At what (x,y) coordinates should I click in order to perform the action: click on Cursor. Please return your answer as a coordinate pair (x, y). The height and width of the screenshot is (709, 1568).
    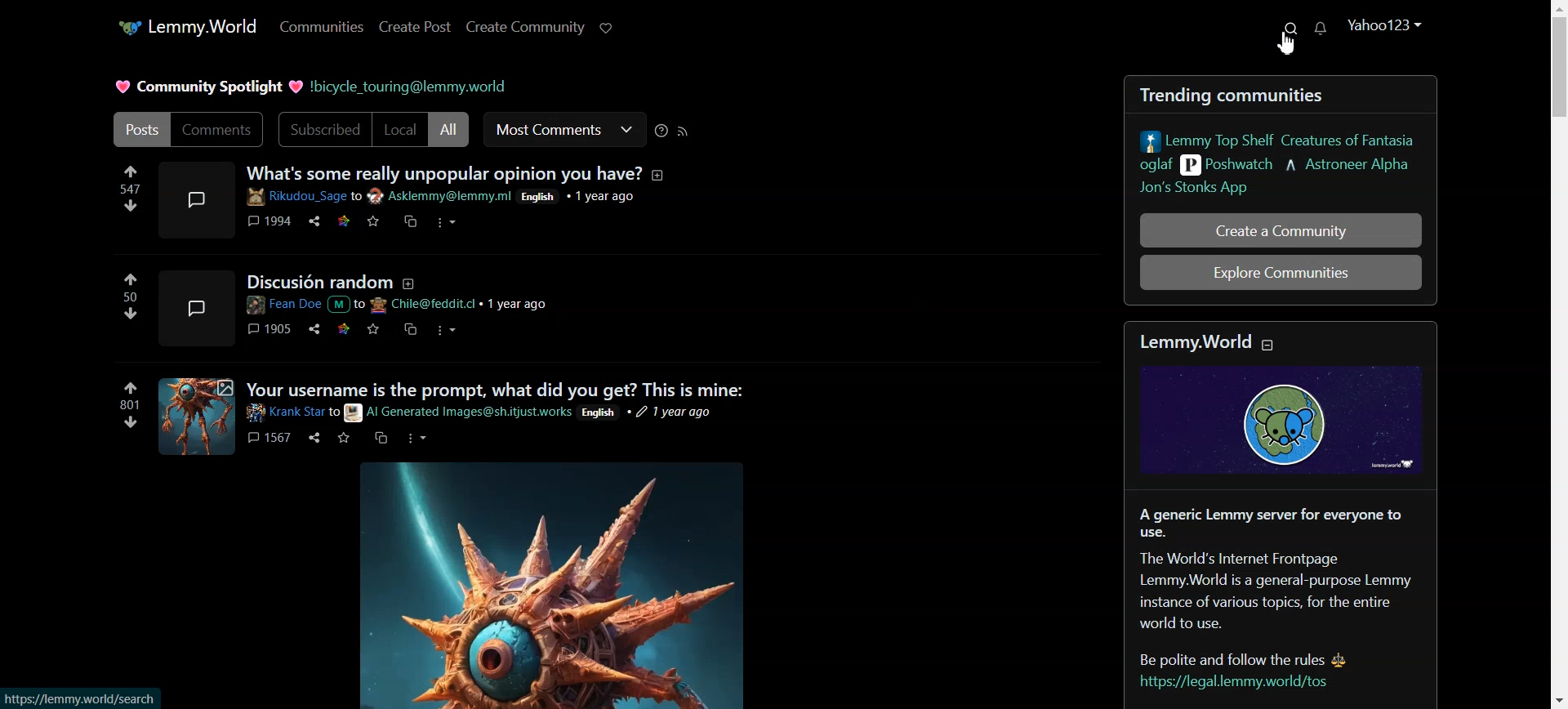
    Looking at the image, I should click on (1286, 42).